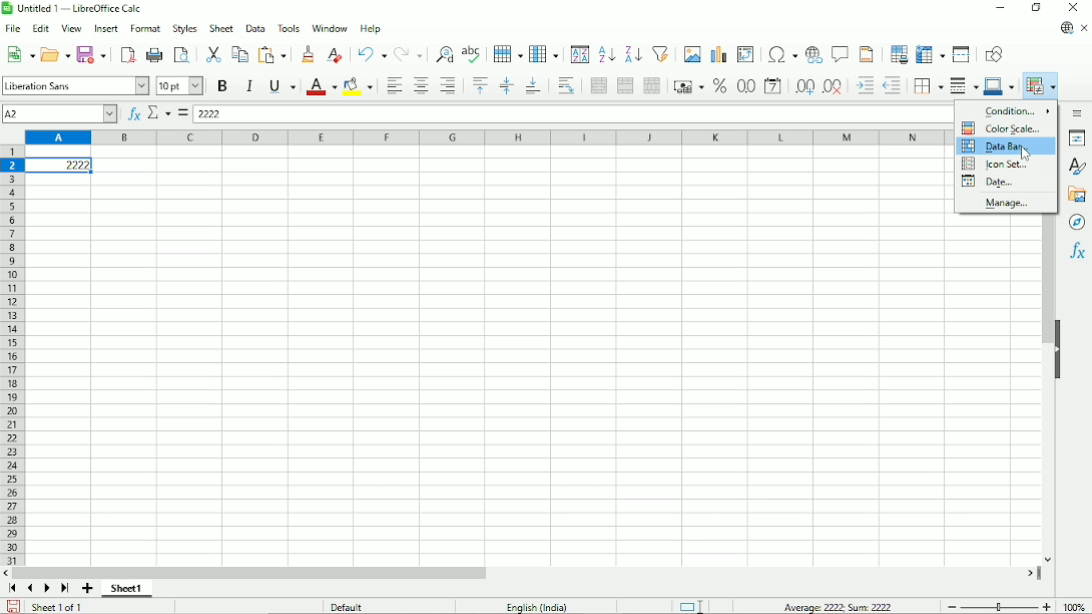  Describe the element at coordinates (505, 86) in the screenshot. I see `Center vertically` at that location.